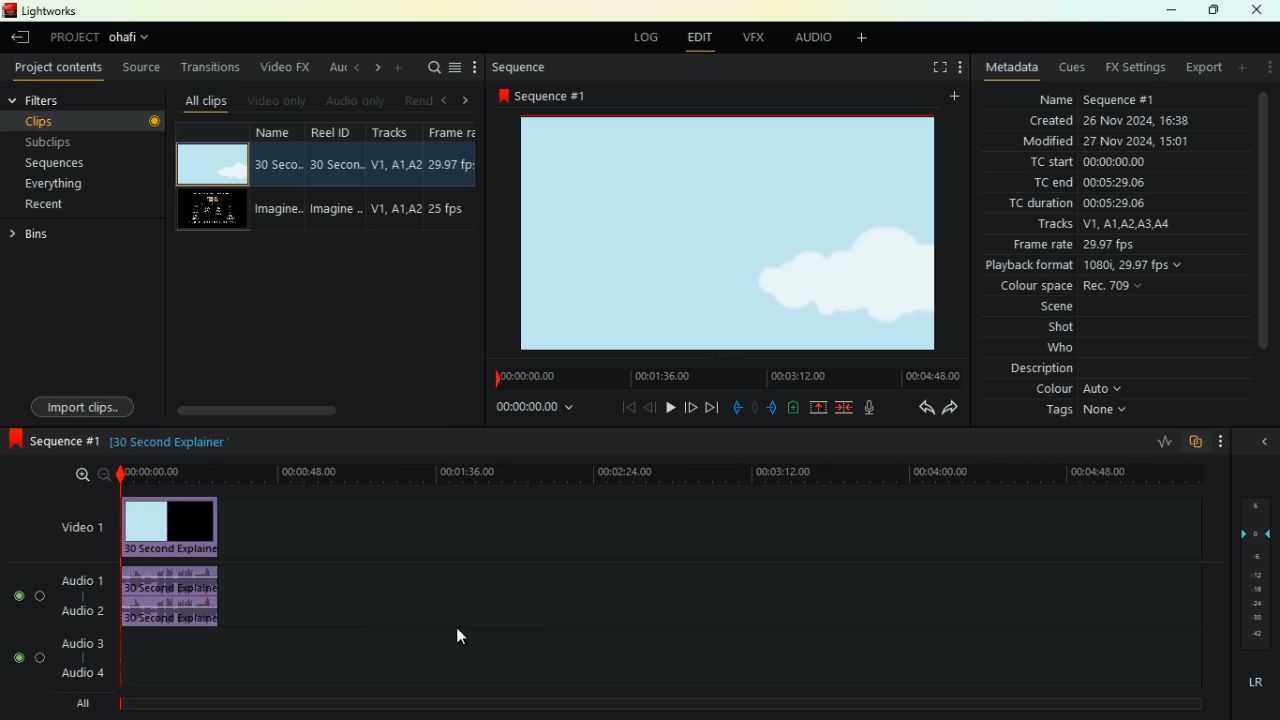 The image size is (1280, 720). I want to click on timeline, so click(722, 375).